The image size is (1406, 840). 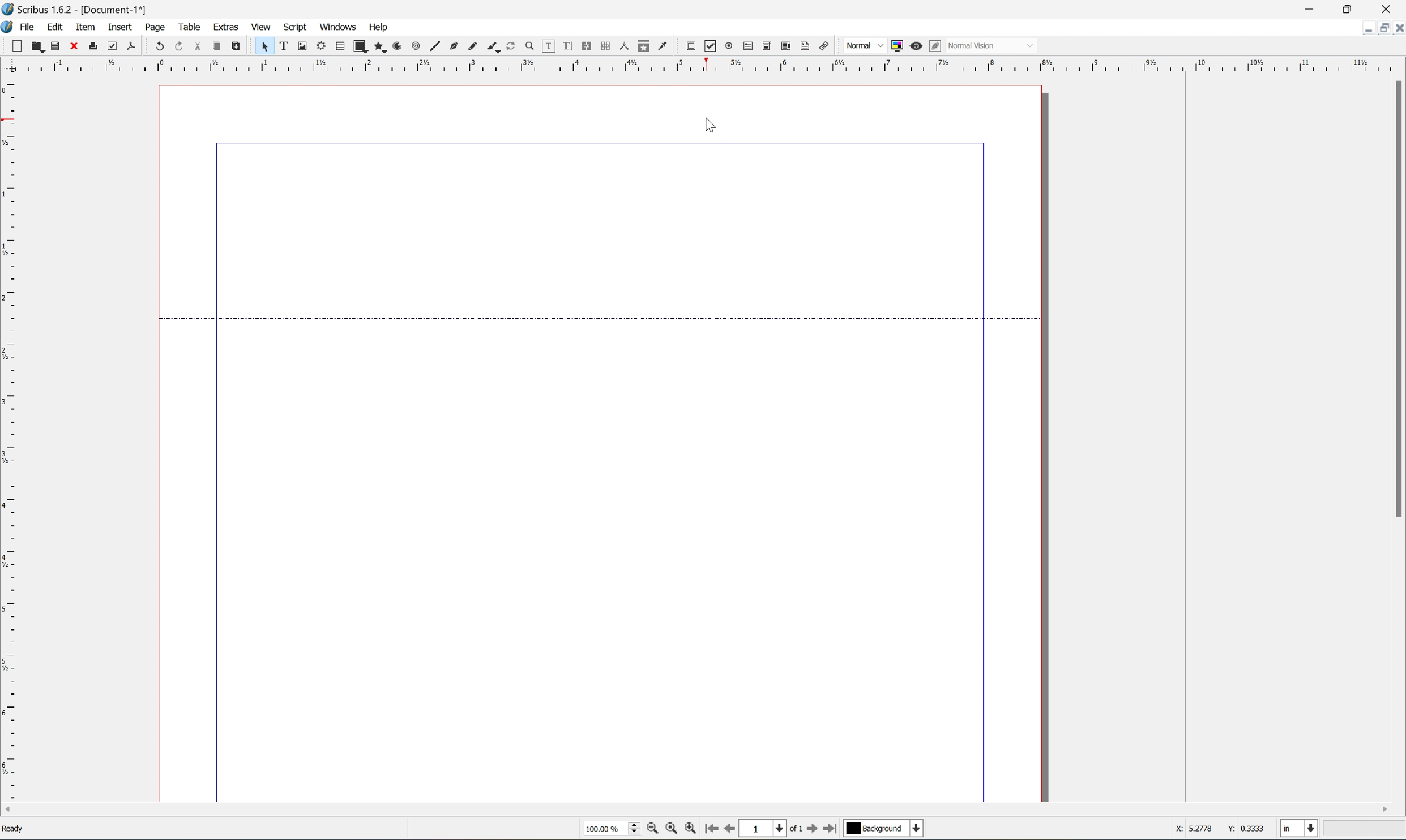 I want to click on measurements, so click(x=625, y=46).